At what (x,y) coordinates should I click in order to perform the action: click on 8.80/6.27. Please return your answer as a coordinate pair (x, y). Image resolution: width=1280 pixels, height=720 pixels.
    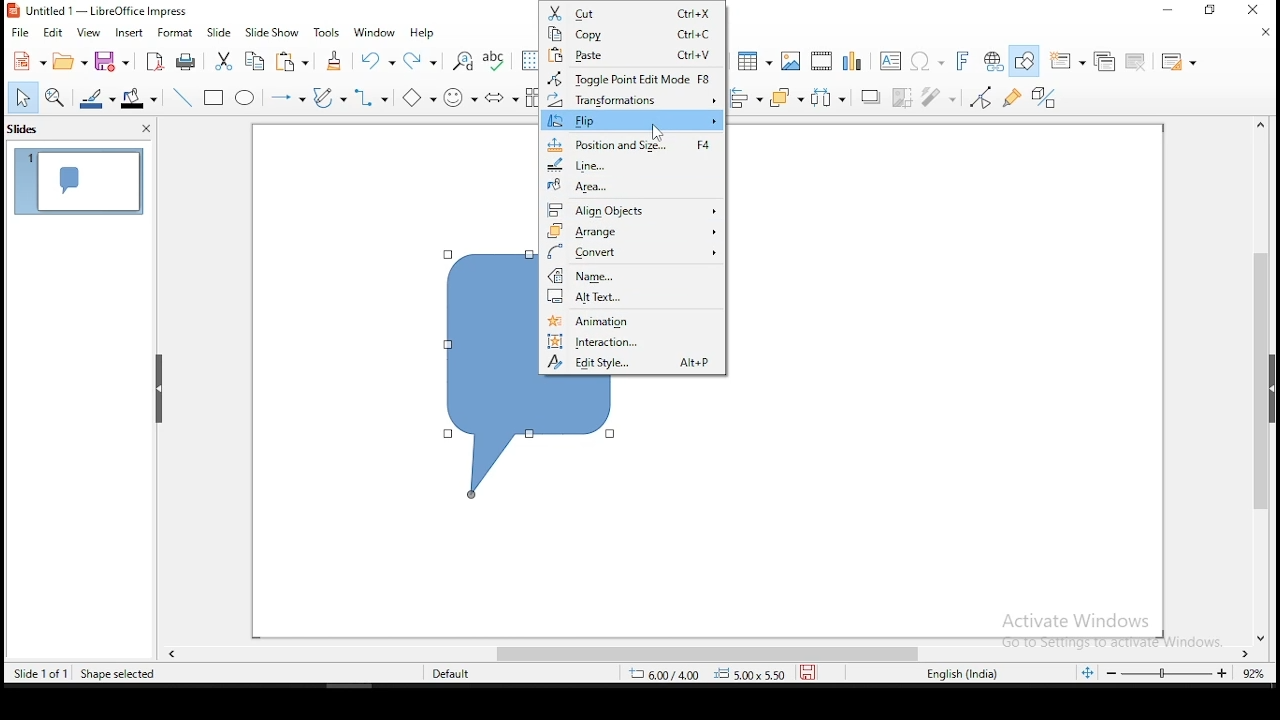
    Looking at the image, I should click on (669, 675).